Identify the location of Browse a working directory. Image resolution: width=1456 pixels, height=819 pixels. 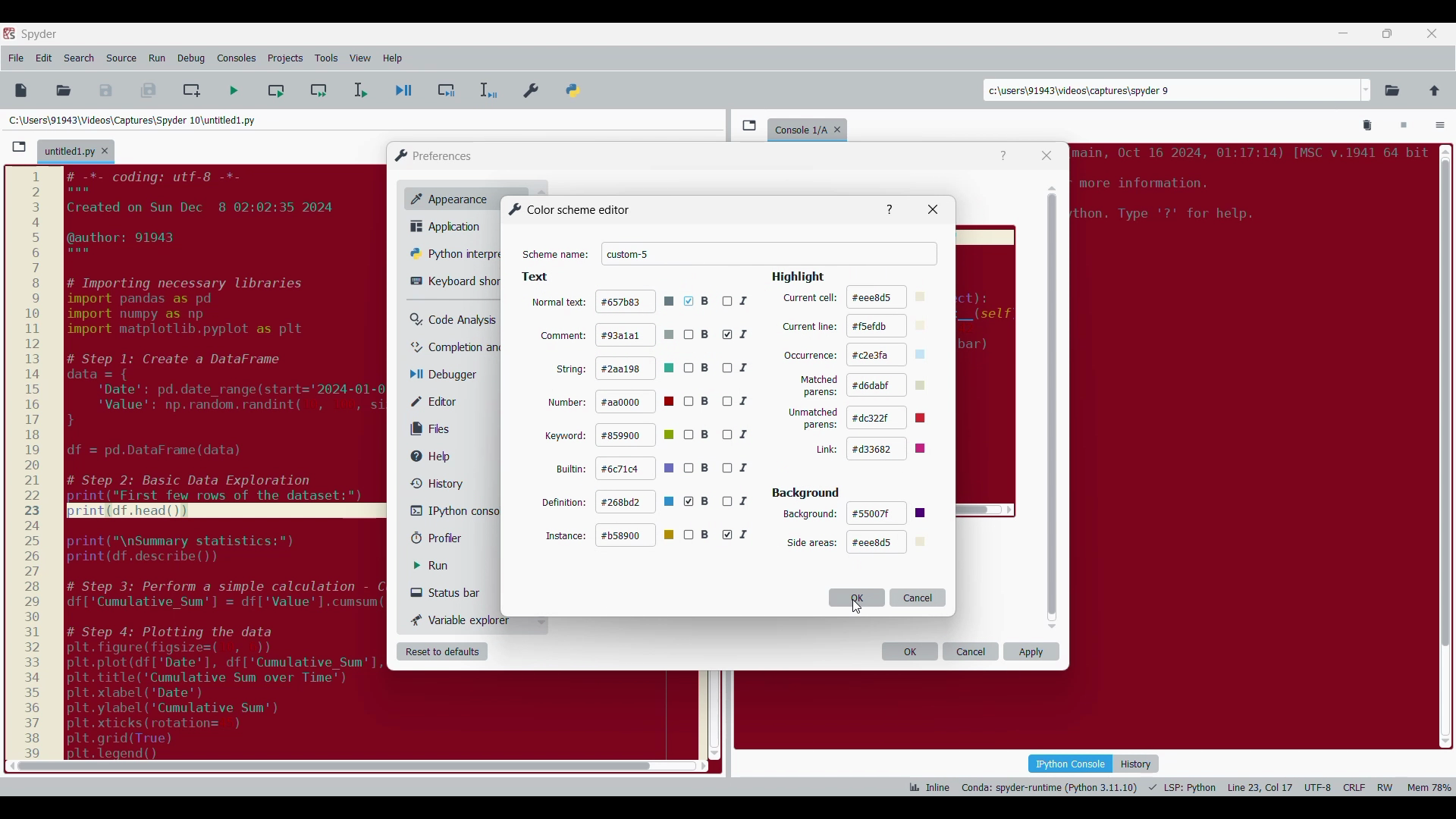
(1392, 90).